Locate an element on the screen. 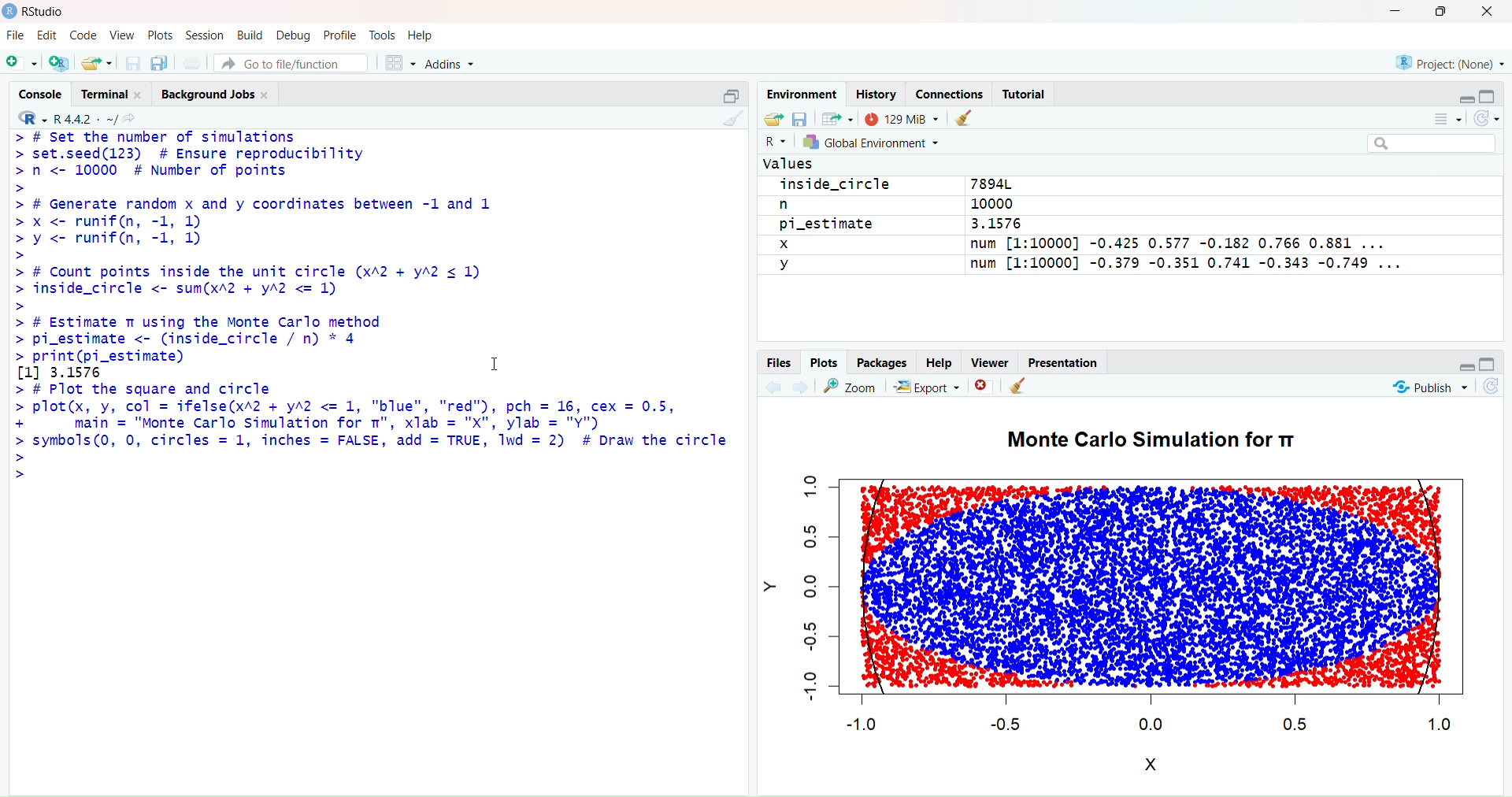 This screenshot has height=797, width=1512. Plots is located at coordinates (161, 34).